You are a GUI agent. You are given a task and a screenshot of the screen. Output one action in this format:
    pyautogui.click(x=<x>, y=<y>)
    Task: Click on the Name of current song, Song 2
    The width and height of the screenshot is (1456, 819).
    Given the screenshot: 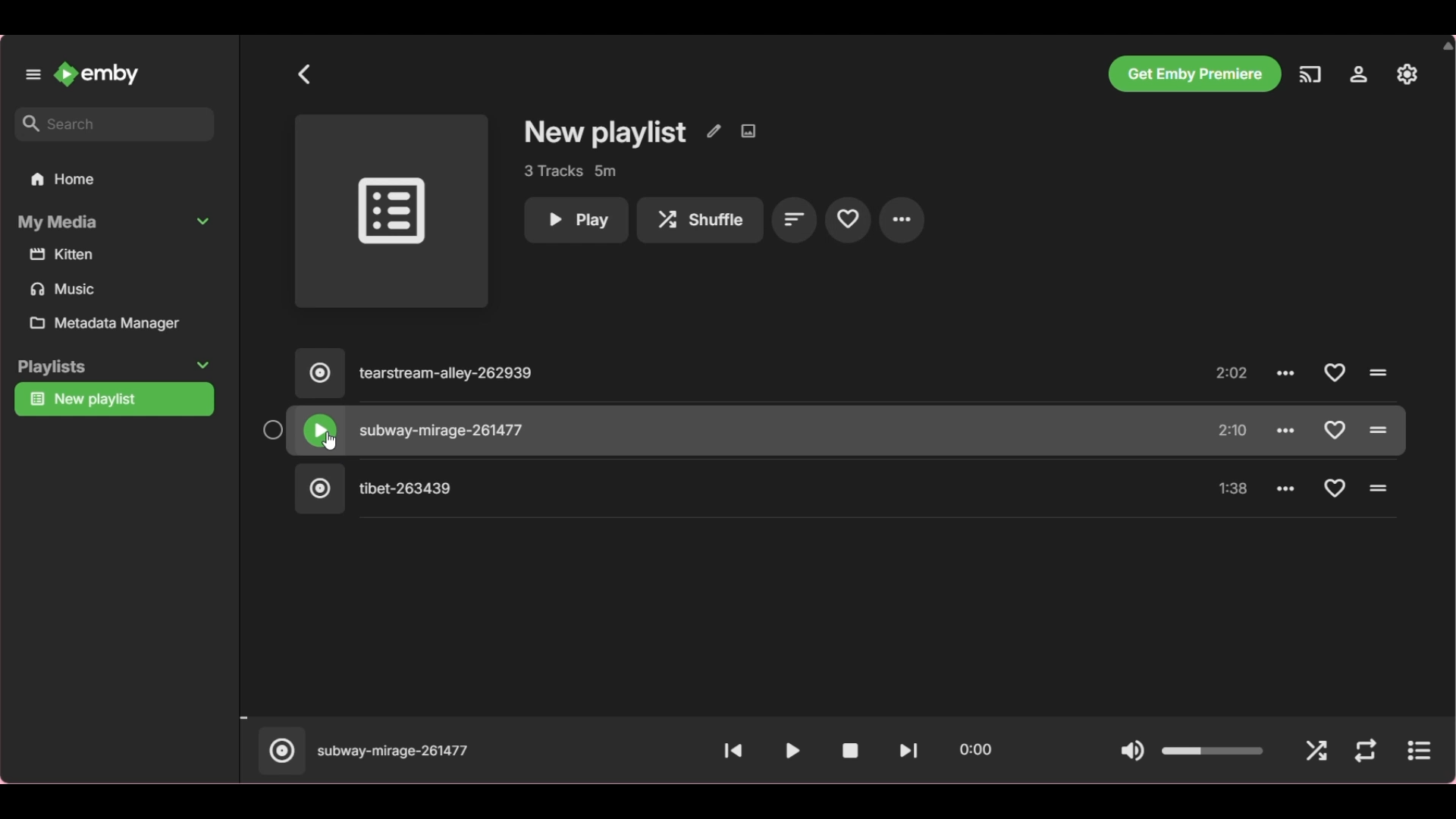 What is the action you would take?
    pyautogui.click(x=394, y=752)
    